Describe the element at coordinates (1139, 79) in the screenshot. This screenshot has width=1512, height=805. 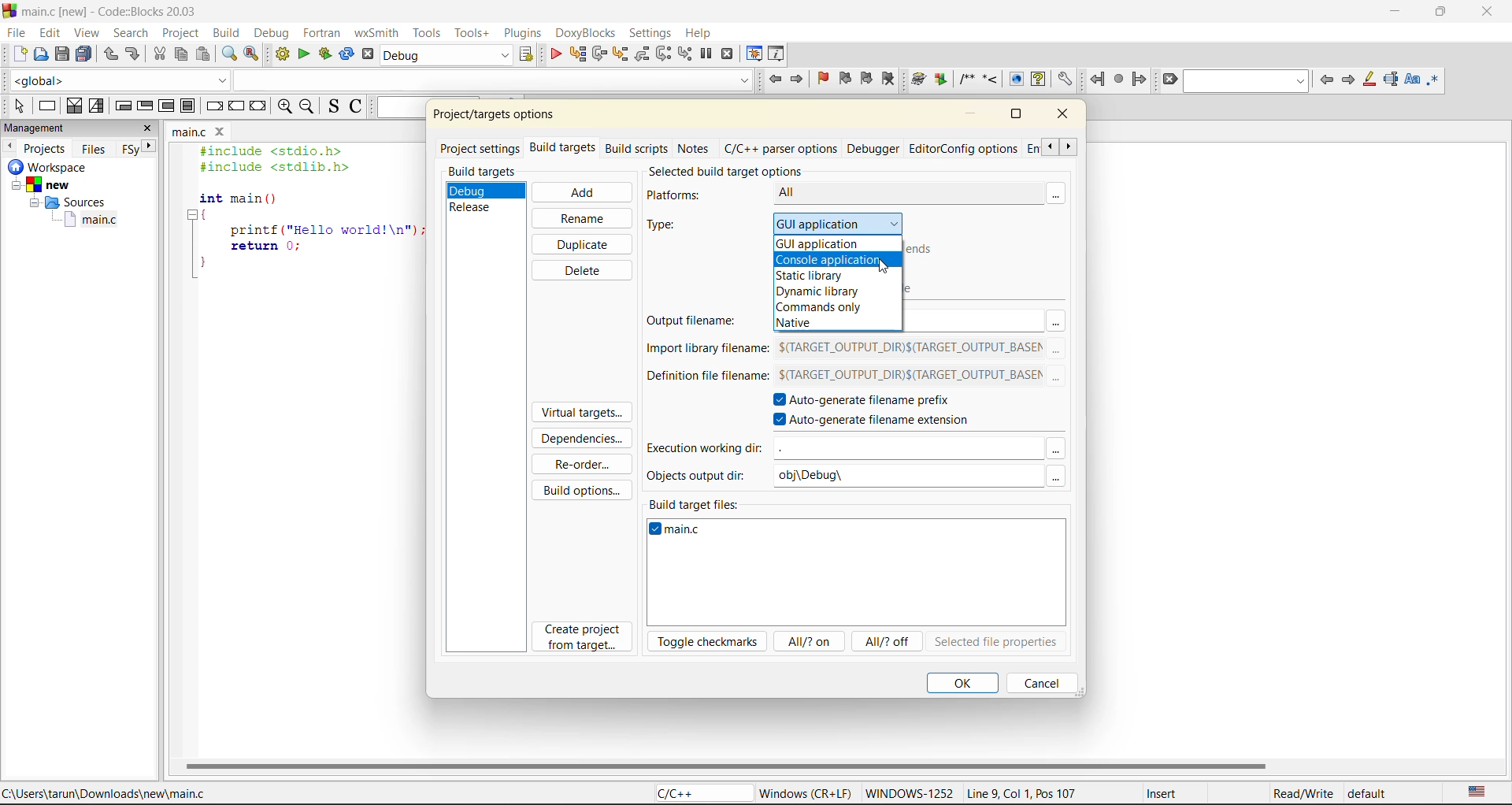
I see `jump forward` at that location.